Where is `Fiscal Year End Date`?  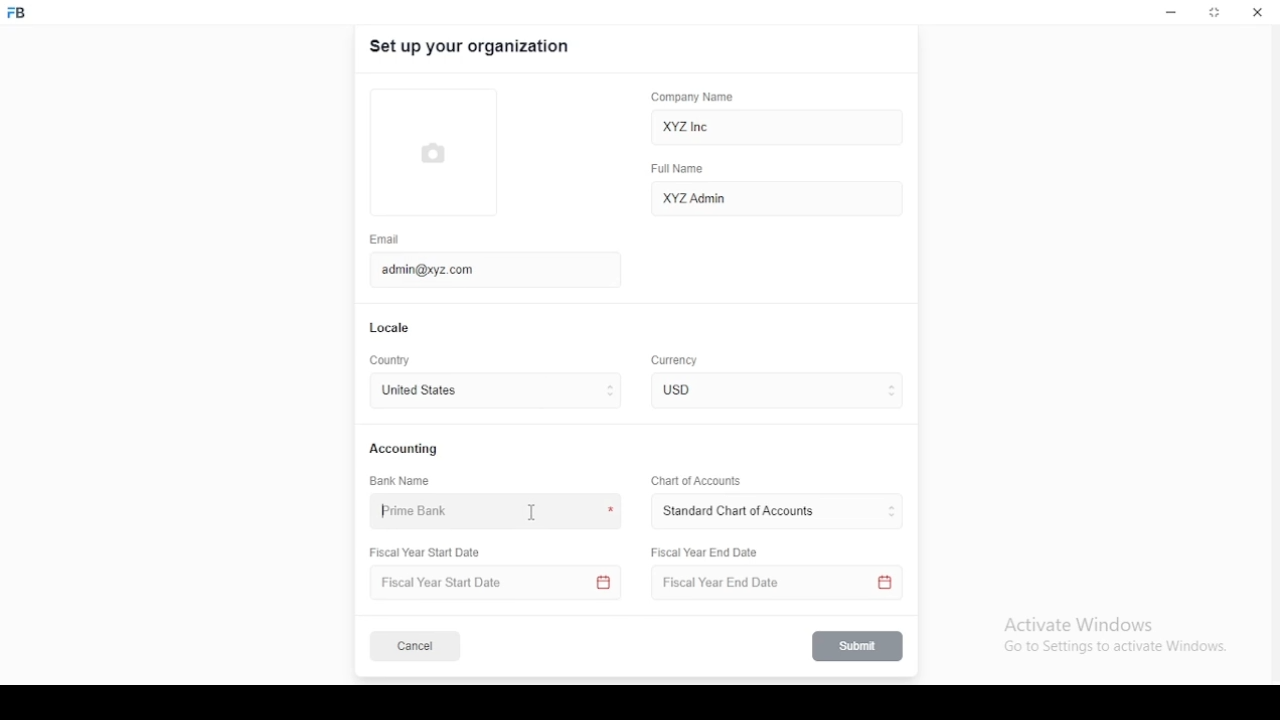
Fiscal Year End Date is located at coordinates (771, 583).